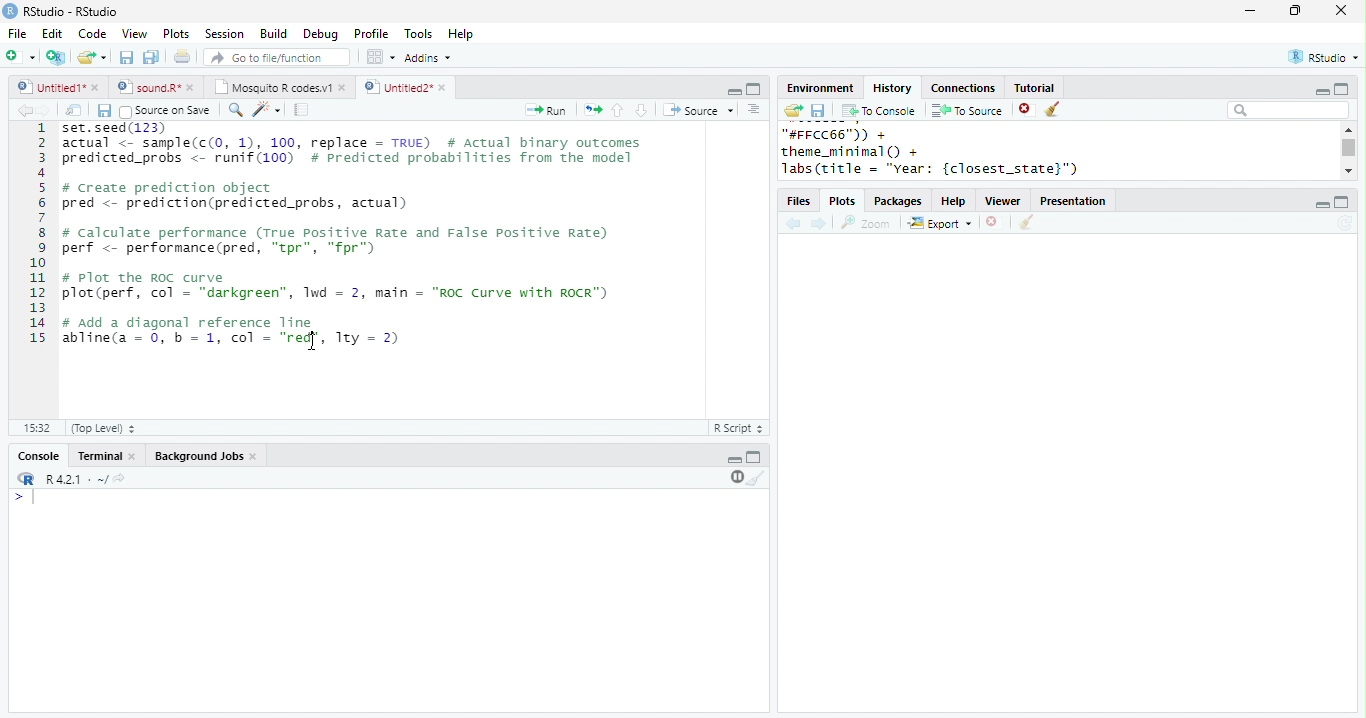  Describe the element at coordinates (151, 57) in the screenshot. I see `save all` at that location.